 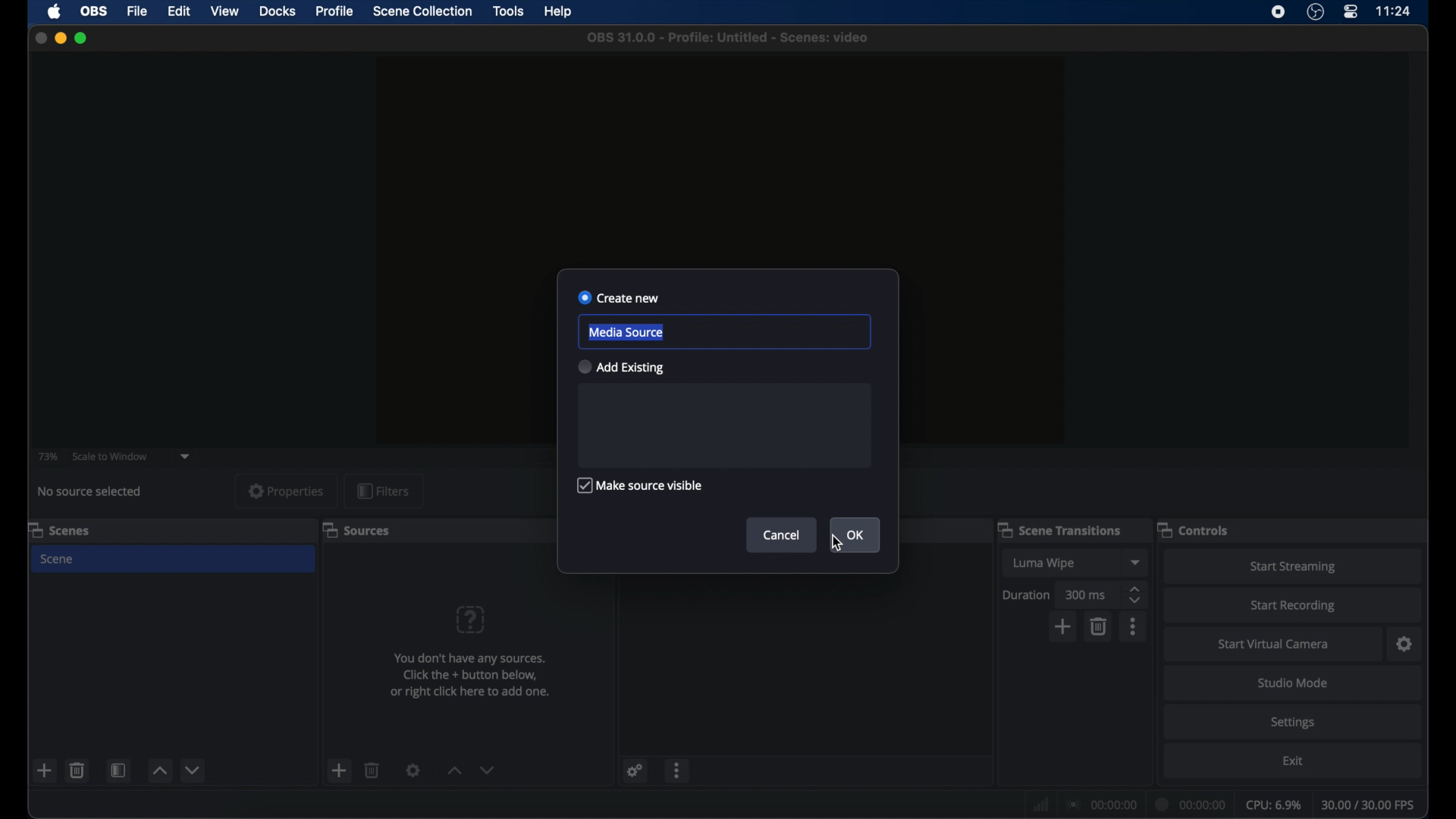 What do you see at coordinates (226, 11) in the screenshot?
I see `view` at bounding box center [226, 11].